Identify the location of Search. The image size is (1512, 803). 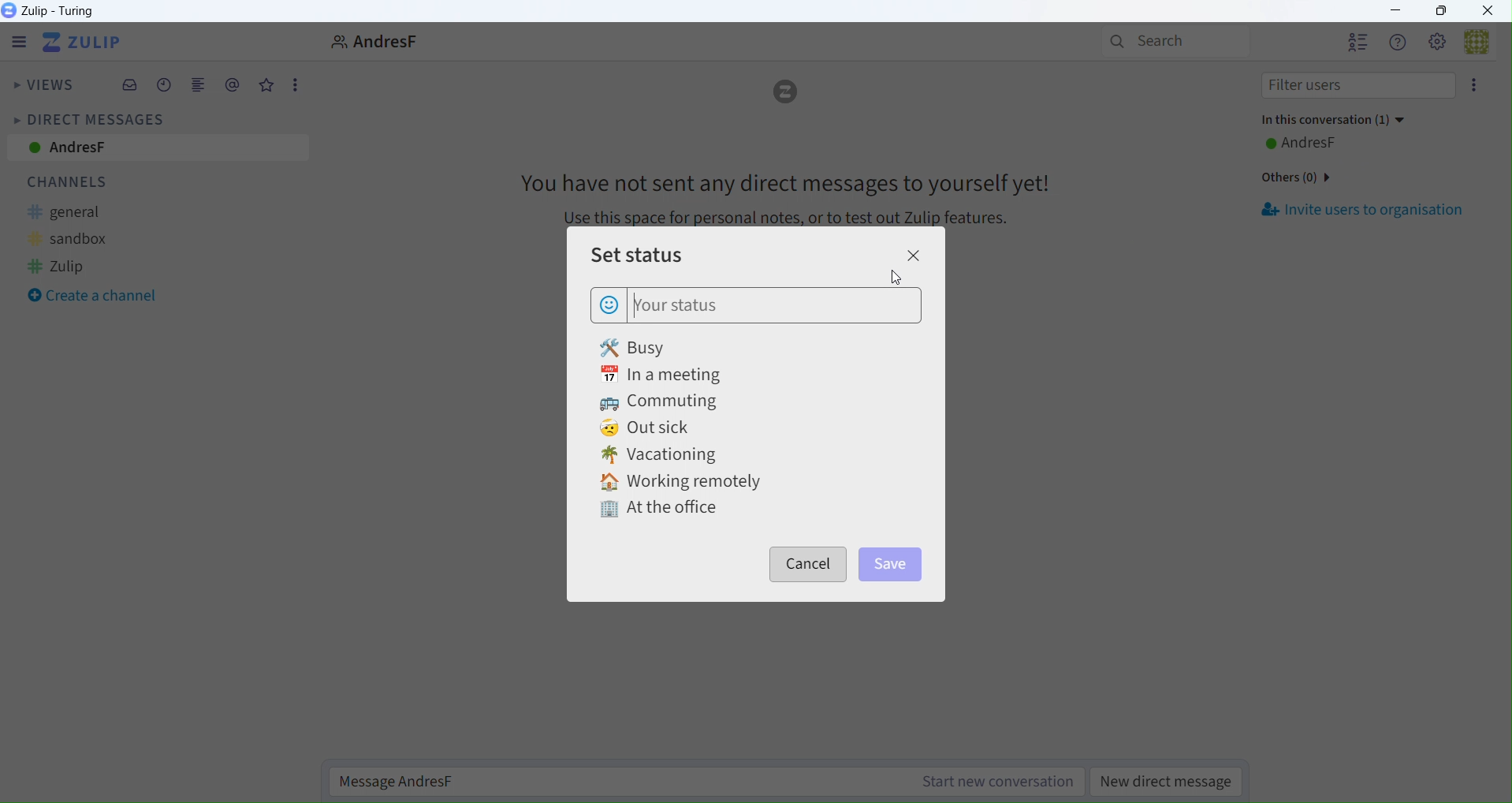
(1171, 40).